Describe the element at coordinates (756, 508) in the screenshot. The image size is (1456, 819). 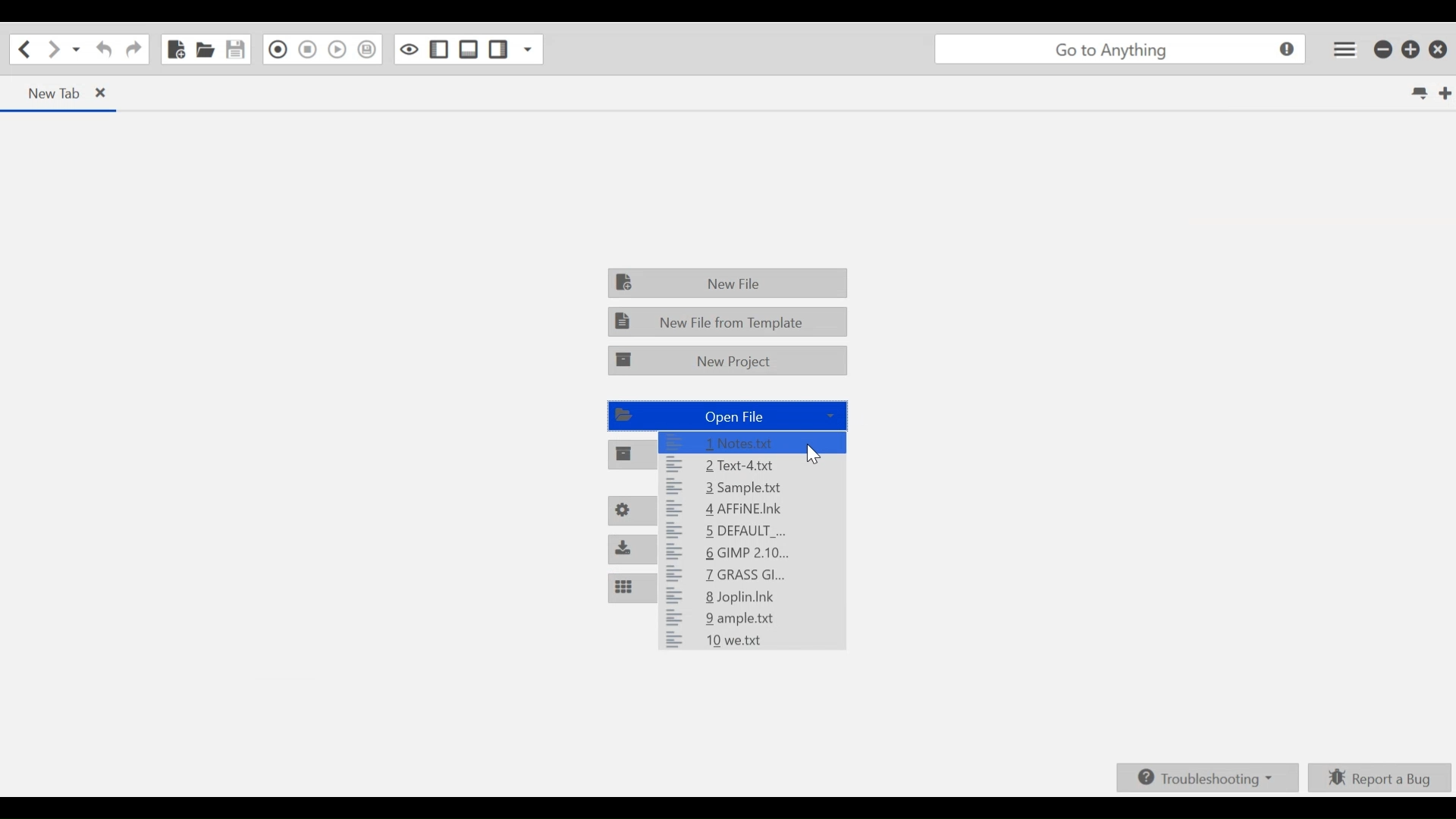
I see `4 AFFiNE.Ink` at that location.